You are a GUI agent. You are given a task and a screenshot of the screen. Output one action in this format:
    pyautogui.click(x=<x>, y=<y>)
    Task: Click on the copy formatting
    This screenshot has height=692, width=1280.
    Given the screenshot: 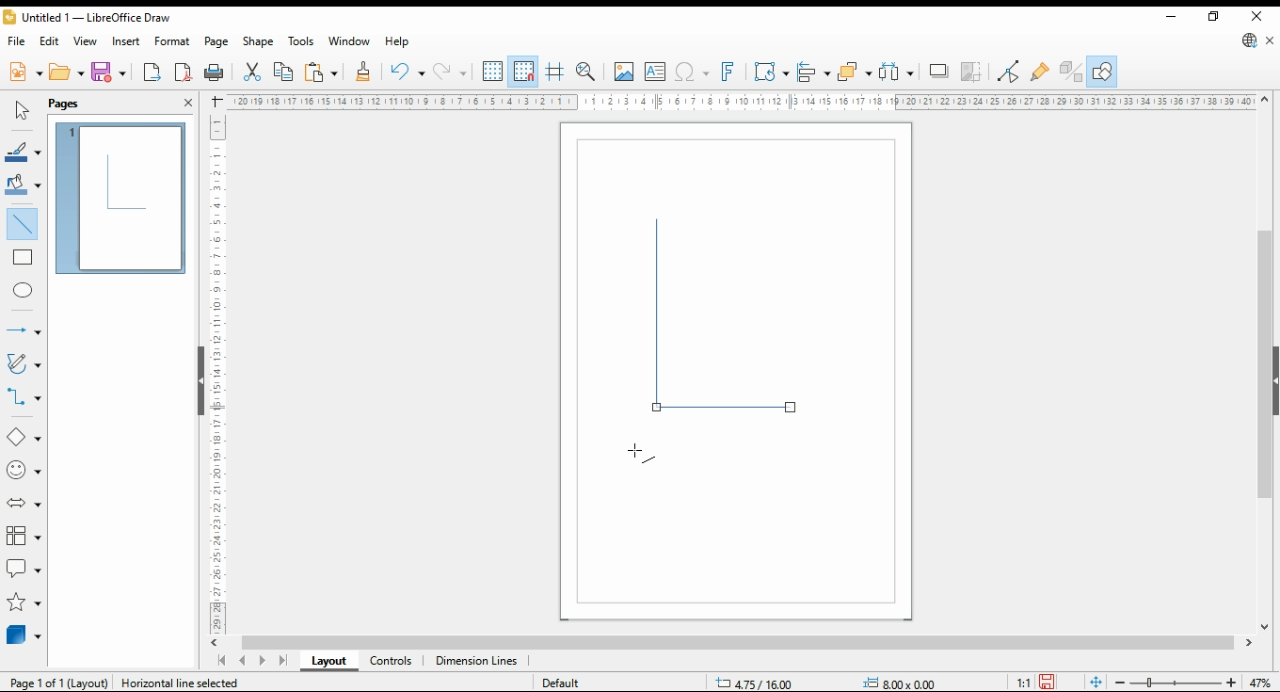 What is the action you would take?
    pyautogui.click(x=364, y=72)
    